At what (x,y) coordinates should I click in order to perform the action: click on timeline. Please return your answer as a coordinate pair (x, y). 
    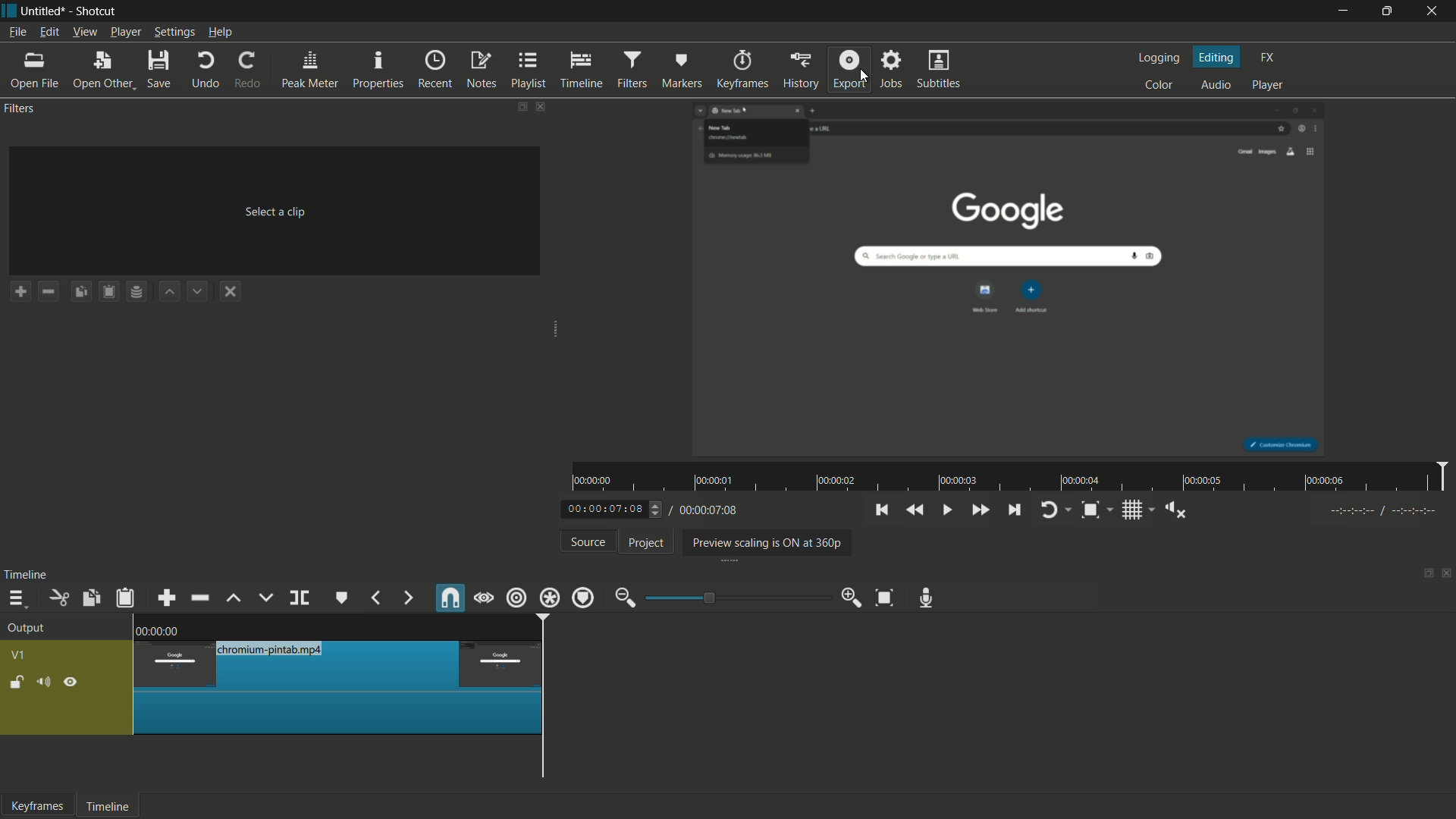
    Looking at the image, I should click on (582, 70).